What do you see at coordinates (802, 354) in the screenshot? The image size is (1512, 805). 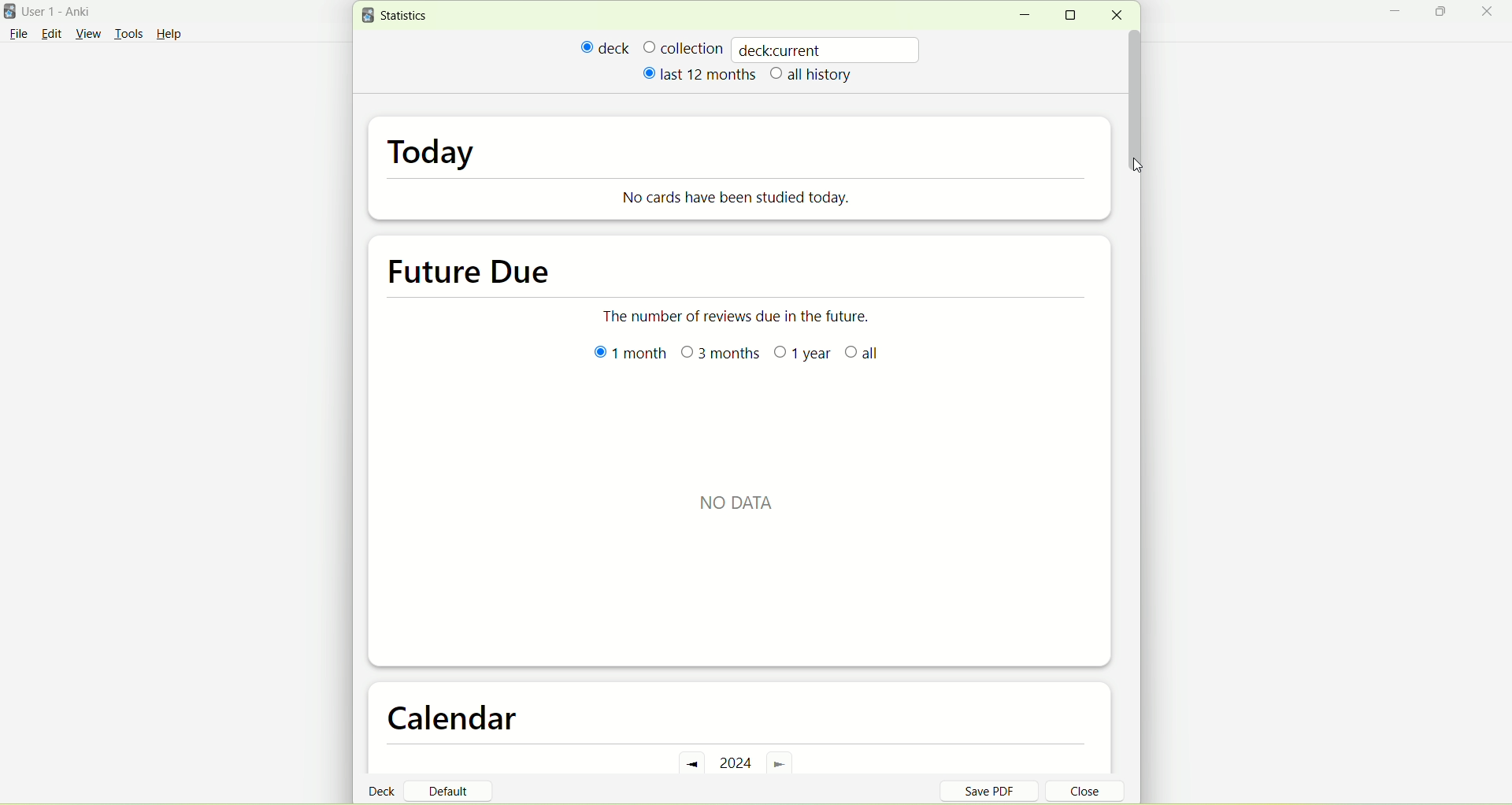 I see `1 year` at bounding box center [802, 354].